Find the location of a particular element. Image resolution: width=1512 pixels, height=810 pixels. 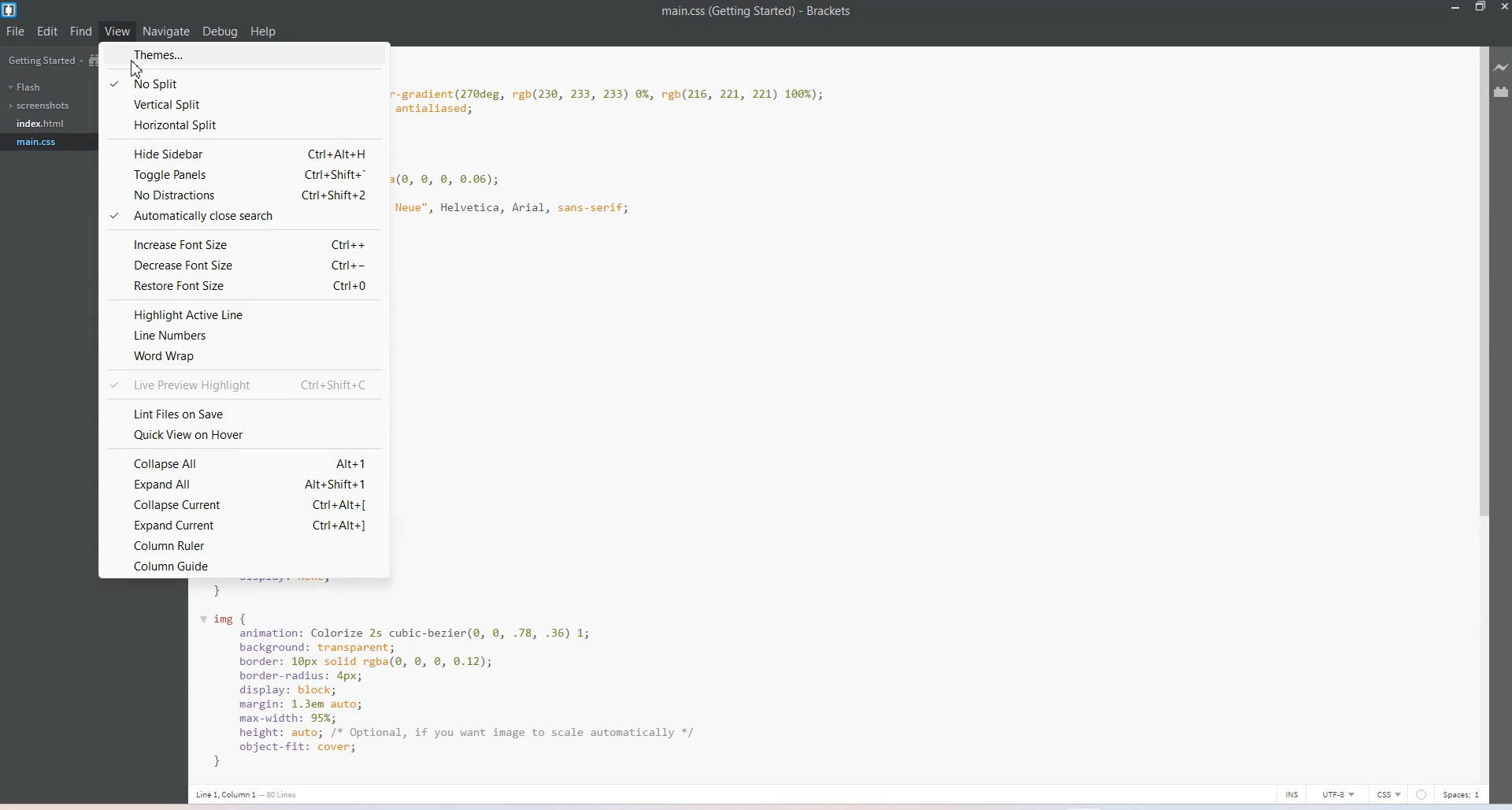

Logo is located at coordinates (12, 11).